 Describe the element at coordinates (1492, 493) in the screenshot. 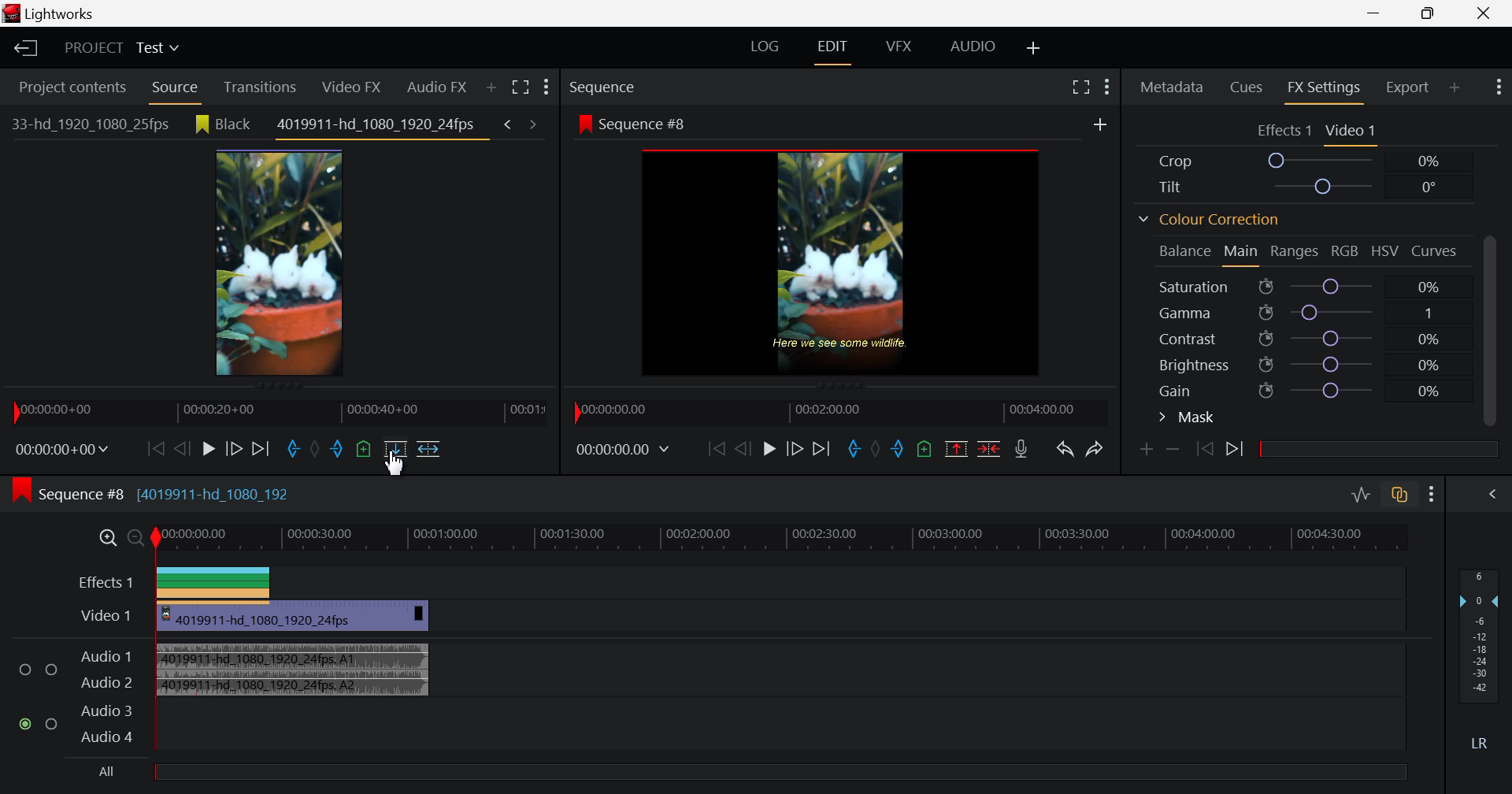

I see `Show Audio Mix` at that location.